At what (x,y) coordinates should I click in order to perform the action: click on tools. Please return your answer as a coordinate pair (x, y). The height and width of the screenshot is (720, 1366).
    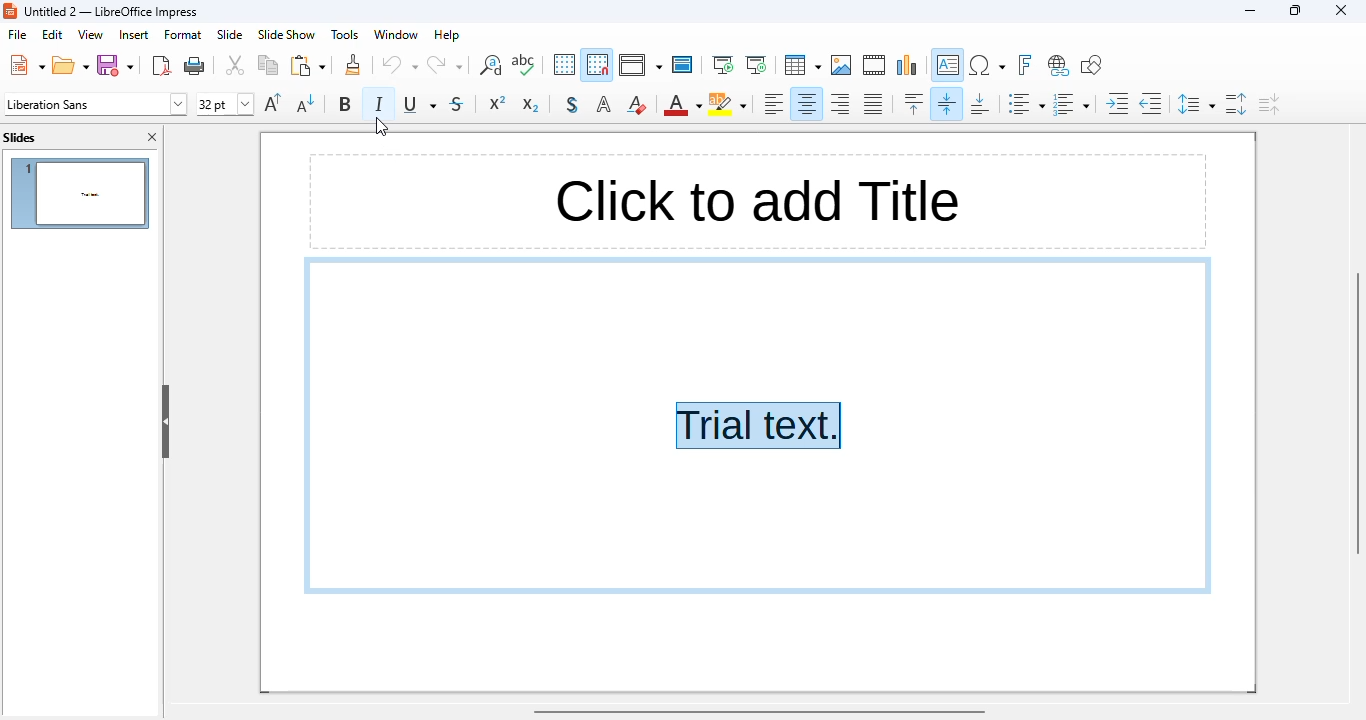
    Looking at the image, I should click on (344, 34).